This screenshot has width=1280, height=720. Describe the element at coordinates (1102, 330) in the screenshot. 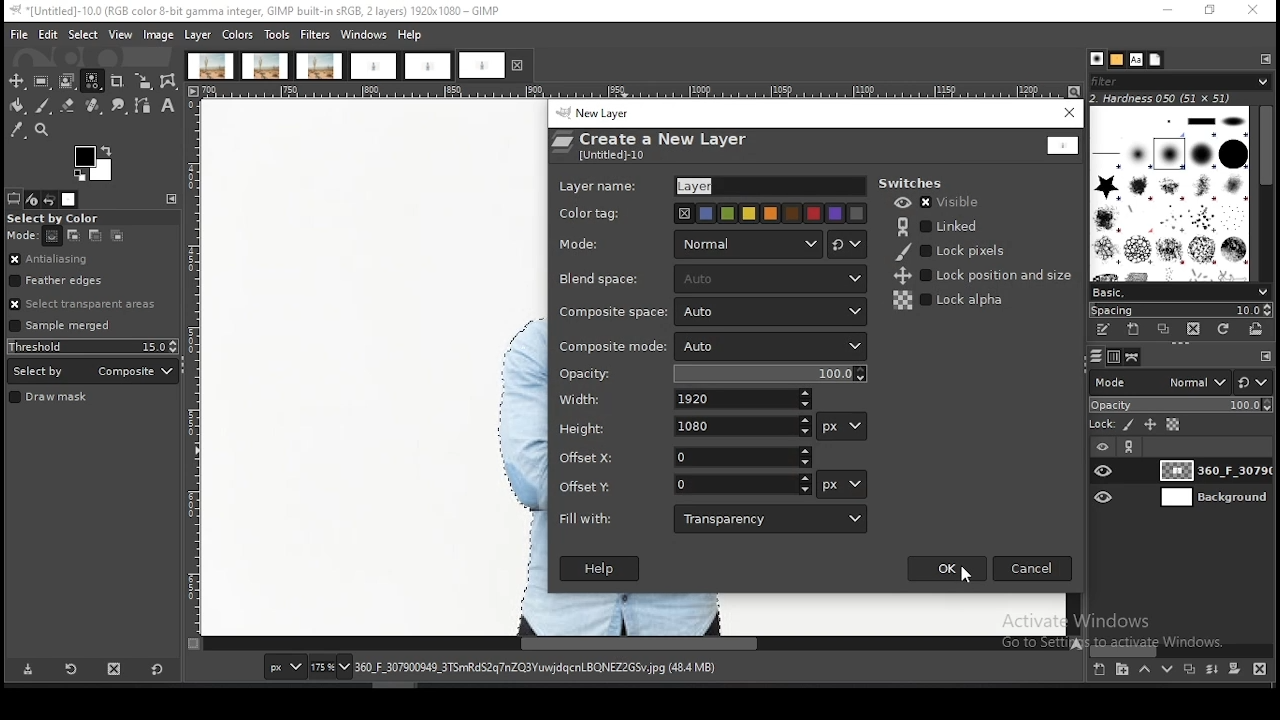

I see `edit this brush` at that location.